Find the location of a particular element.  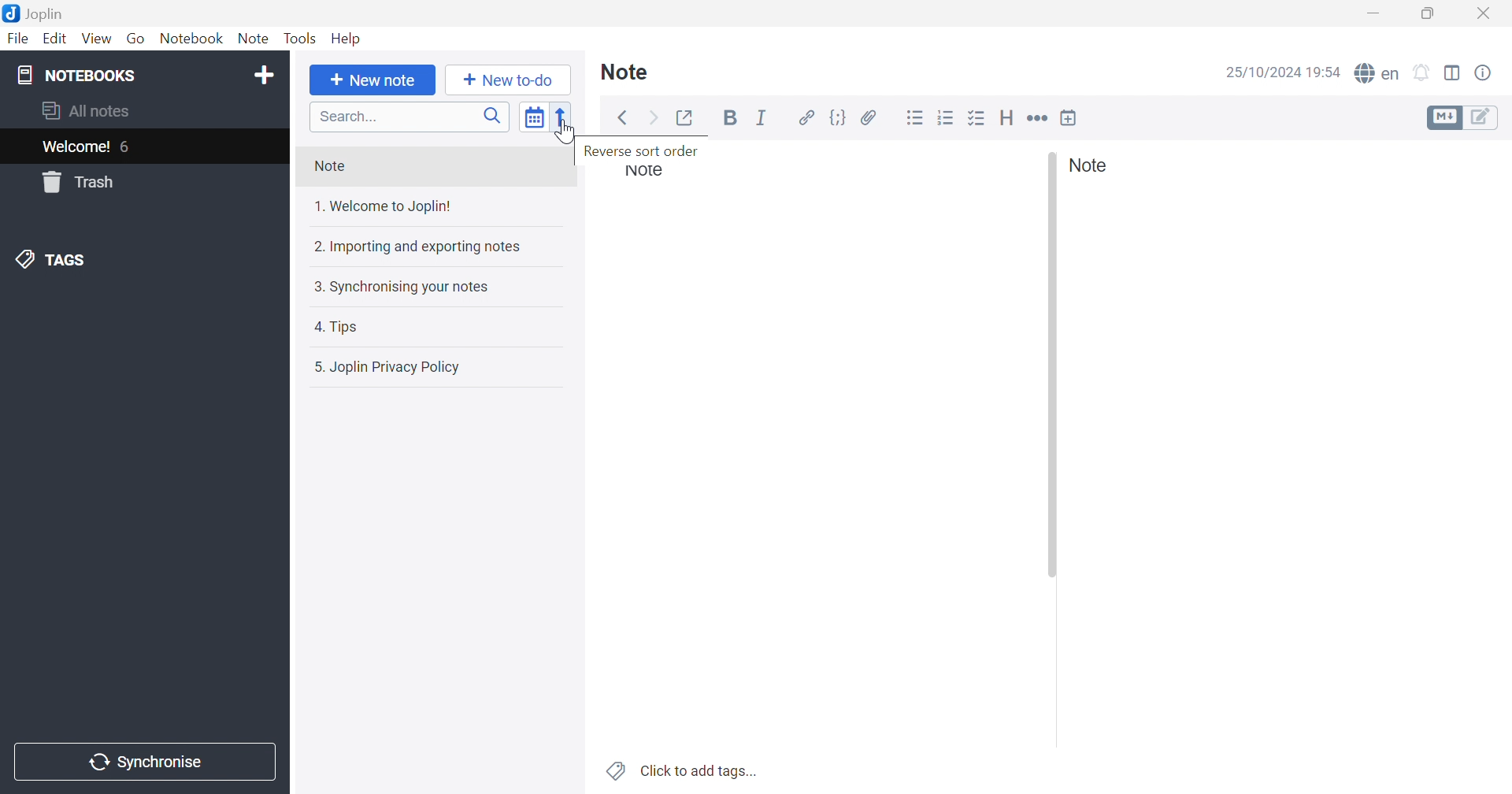

File is located at coordinates (17, 40).